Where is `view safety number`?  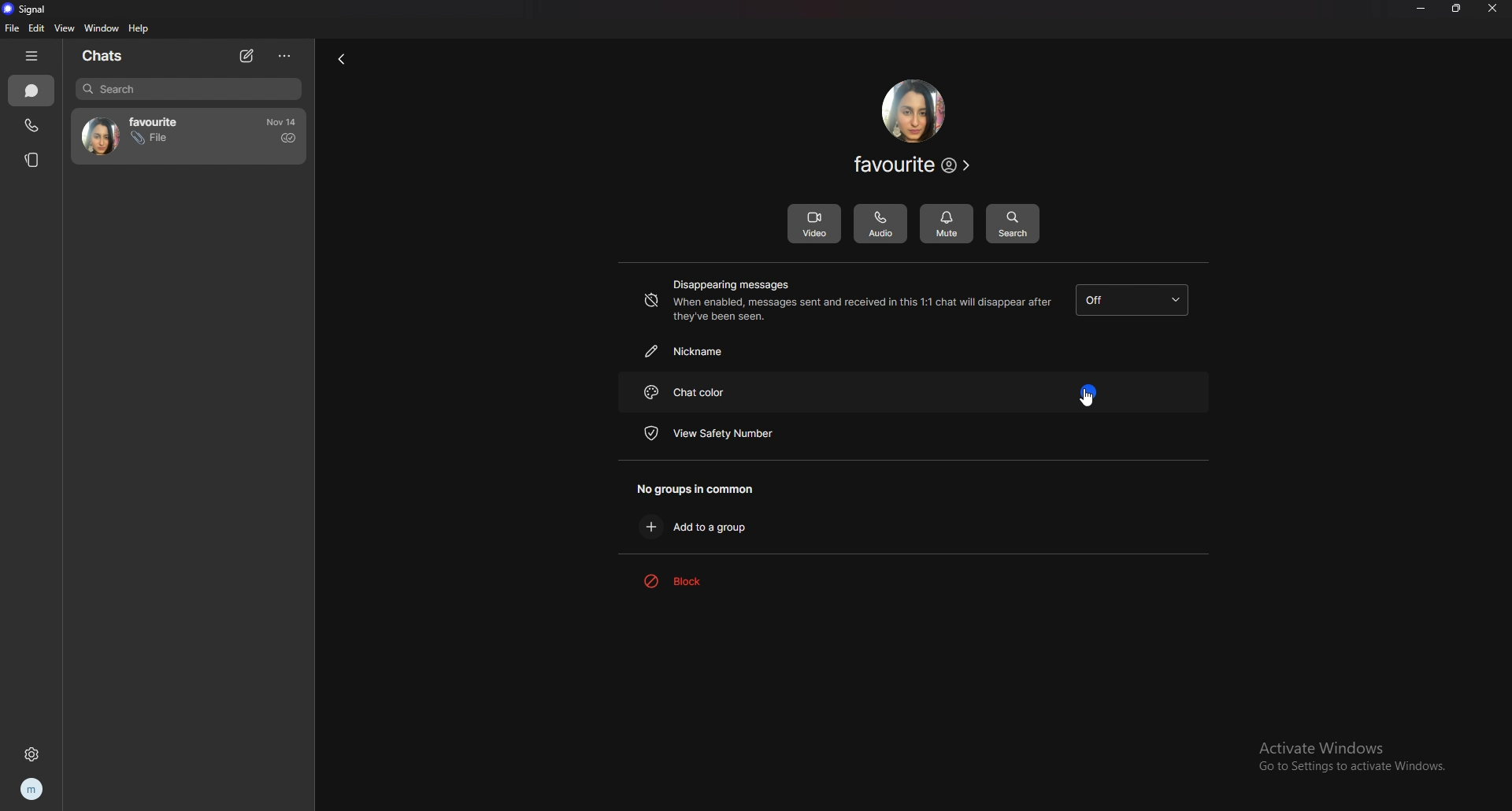
view safety number is located at coordinates (752, 435).